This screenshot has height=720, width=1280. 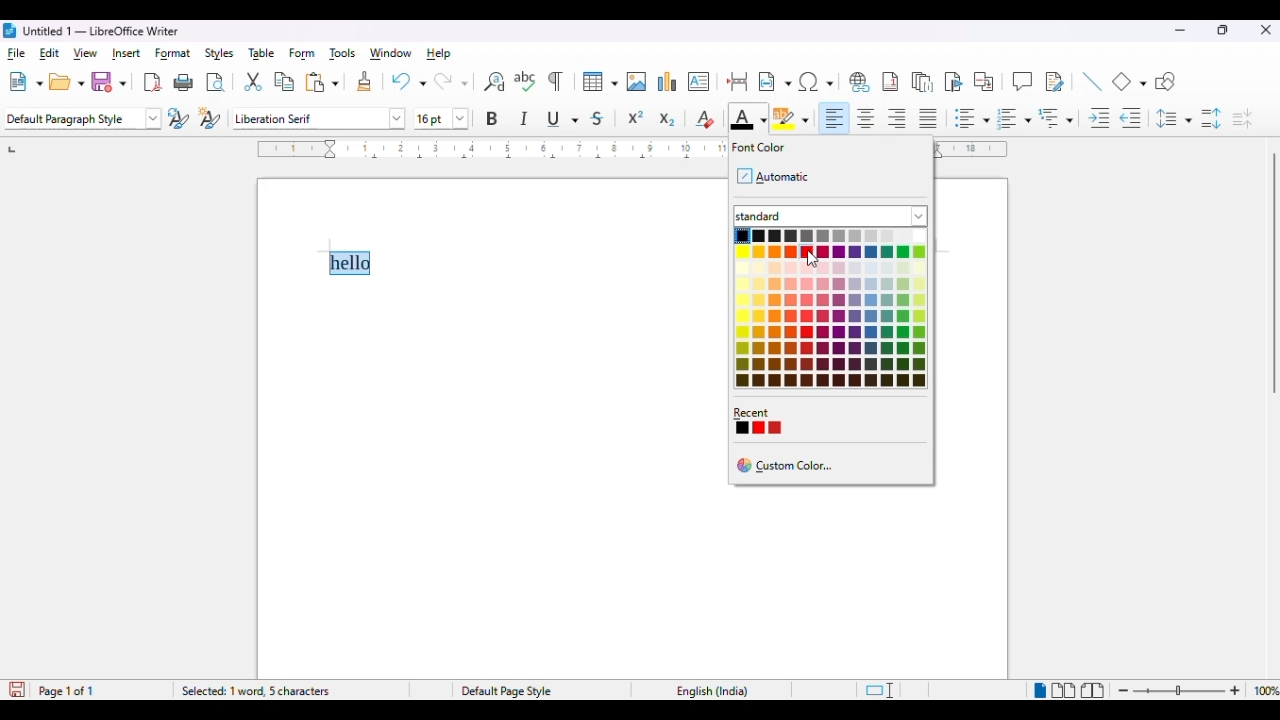 I want to click on toggle unordered list, so click(x=971, y=118).